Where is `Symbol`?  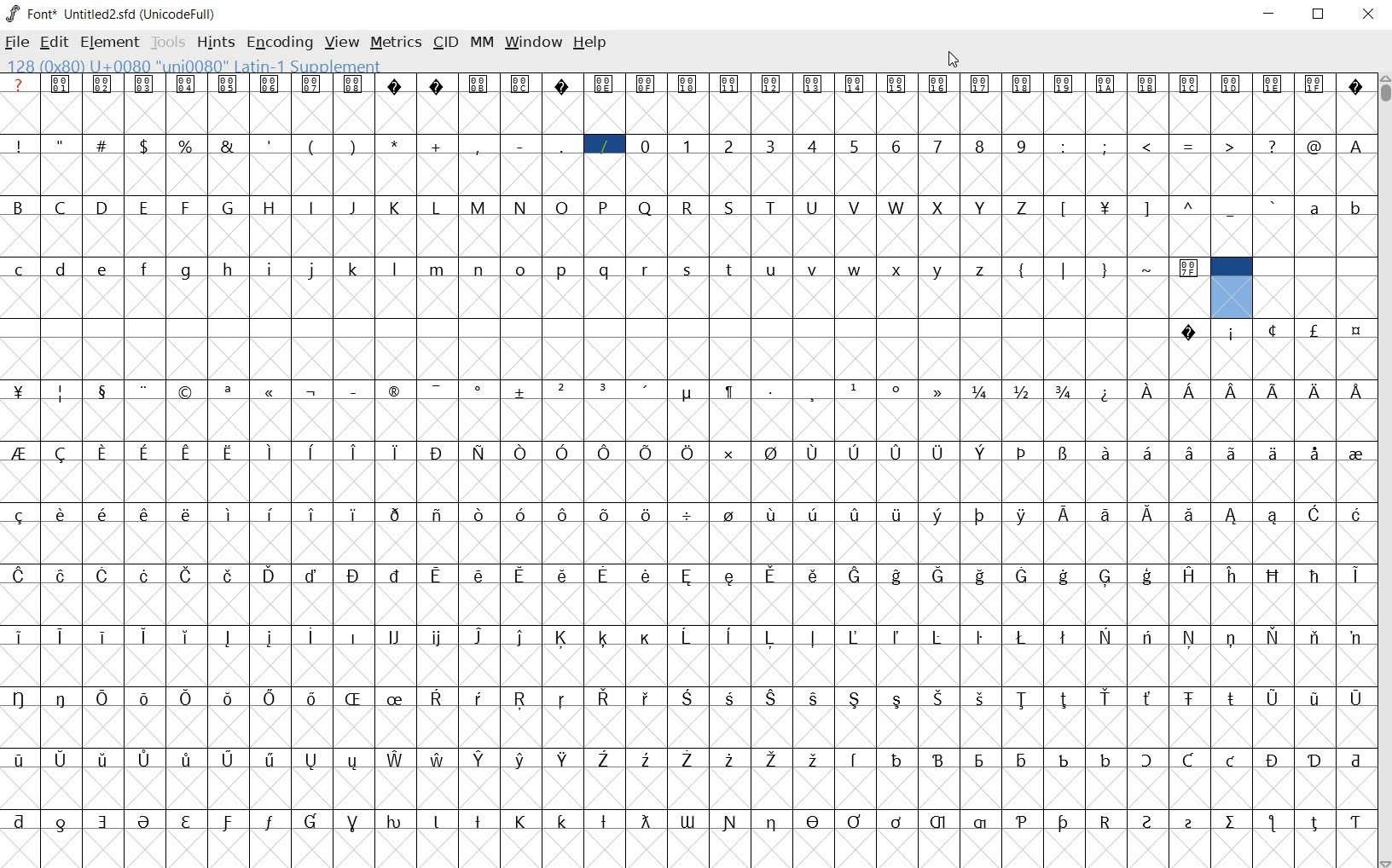
Symbol is located at coordinates (816, 697).